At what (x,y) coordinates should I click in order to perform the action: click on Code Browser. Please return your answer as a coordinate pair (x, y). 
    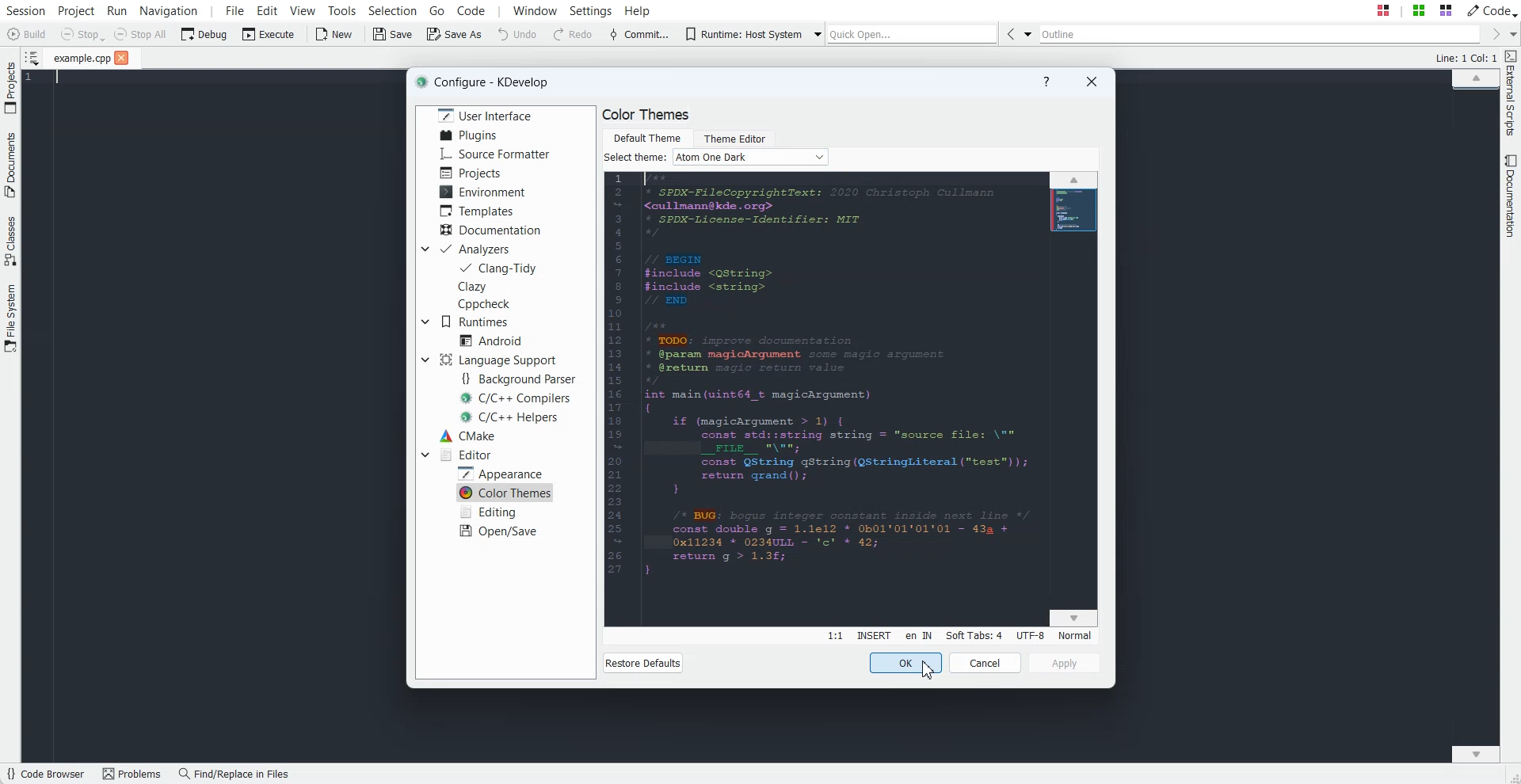
    Looking at the image, I should click on (48, 774).